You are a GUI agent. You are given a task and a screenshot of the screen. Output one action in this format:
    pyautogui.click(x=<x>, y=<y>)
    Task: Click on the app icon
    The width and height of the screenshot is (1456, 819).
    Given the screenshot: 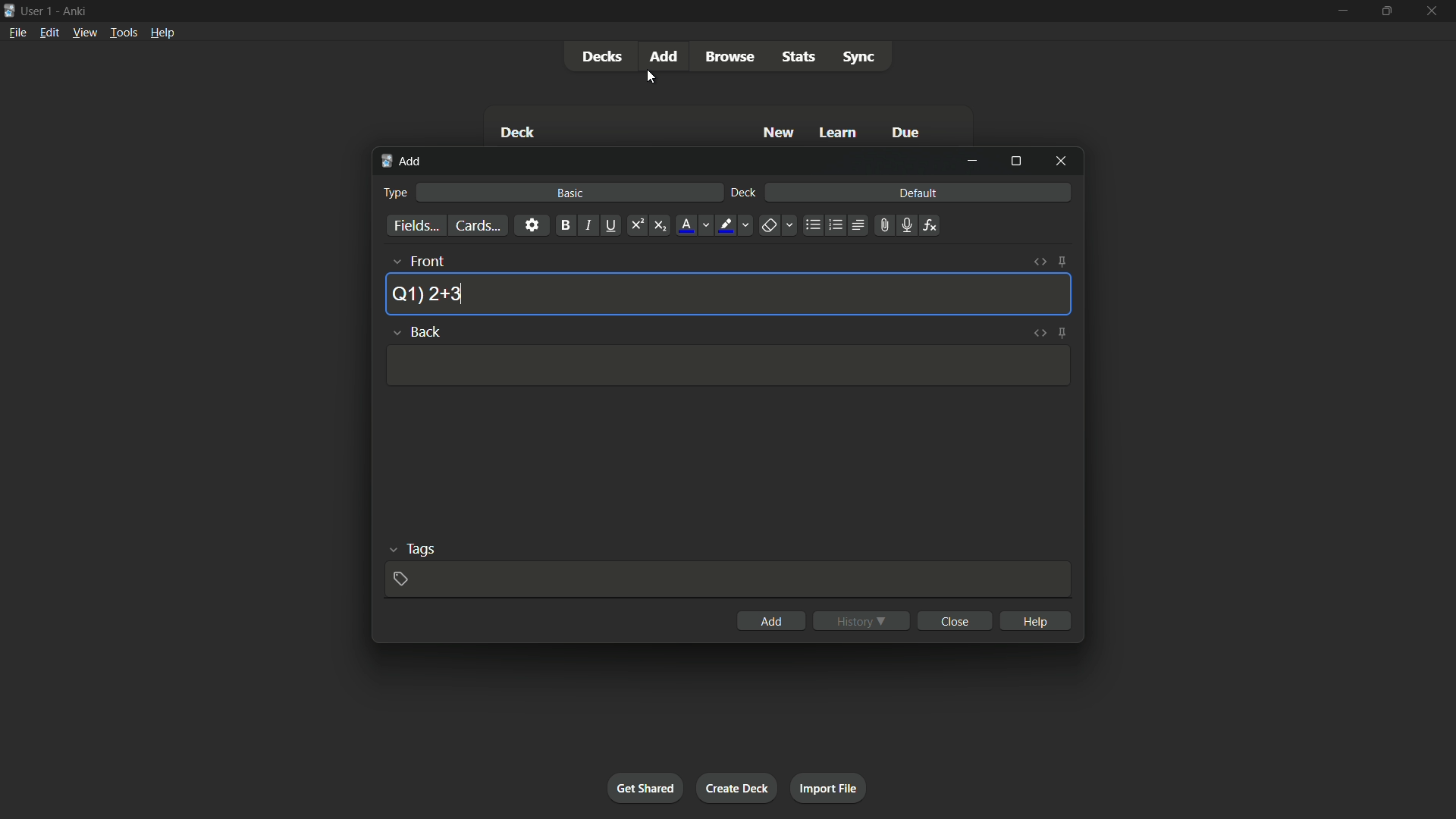 What is the action you would take?
    pyautogui.click(x=9, y=9)
    